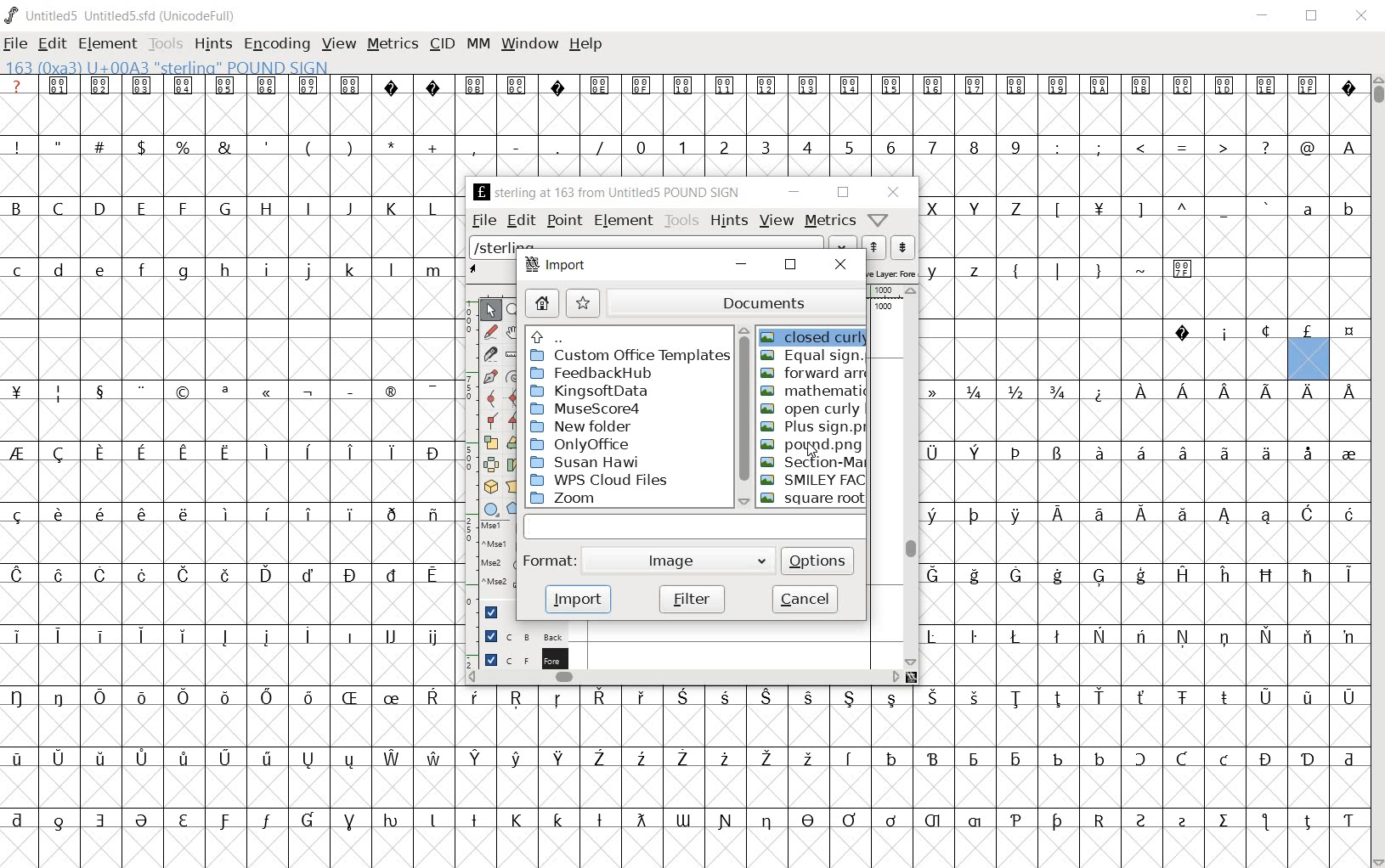  I want to click on Symbol, so click(1015, 575).